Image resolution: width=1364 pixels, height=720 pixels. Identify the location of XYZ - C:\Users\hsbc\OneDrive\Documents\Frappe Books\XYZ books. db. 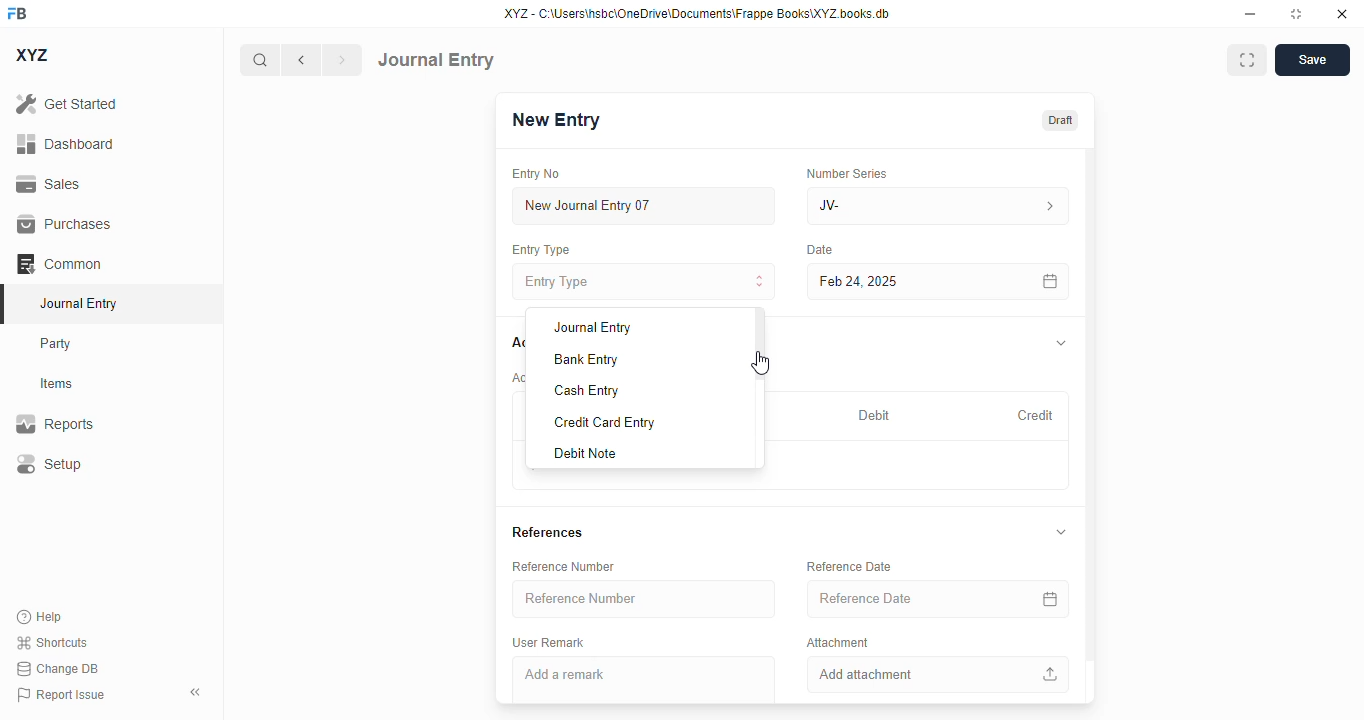
(697, 14).